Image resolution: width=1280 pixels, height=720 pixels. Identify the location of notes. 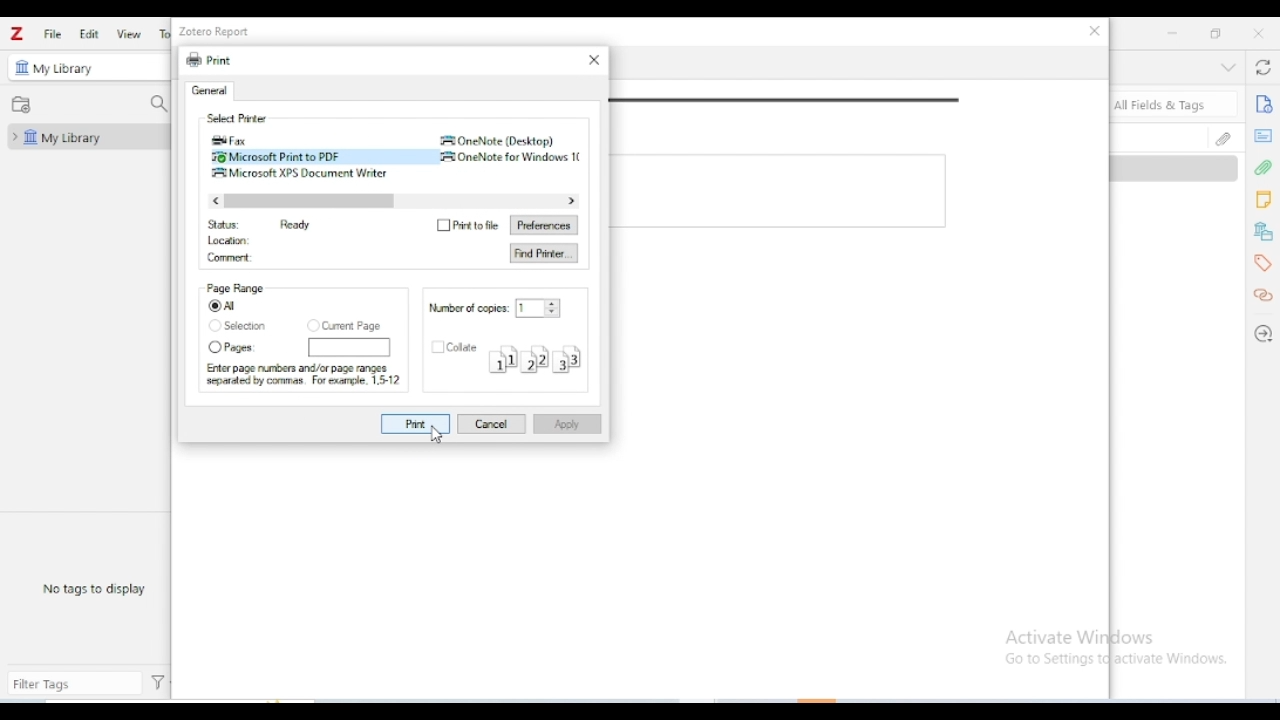
(1263, 200).